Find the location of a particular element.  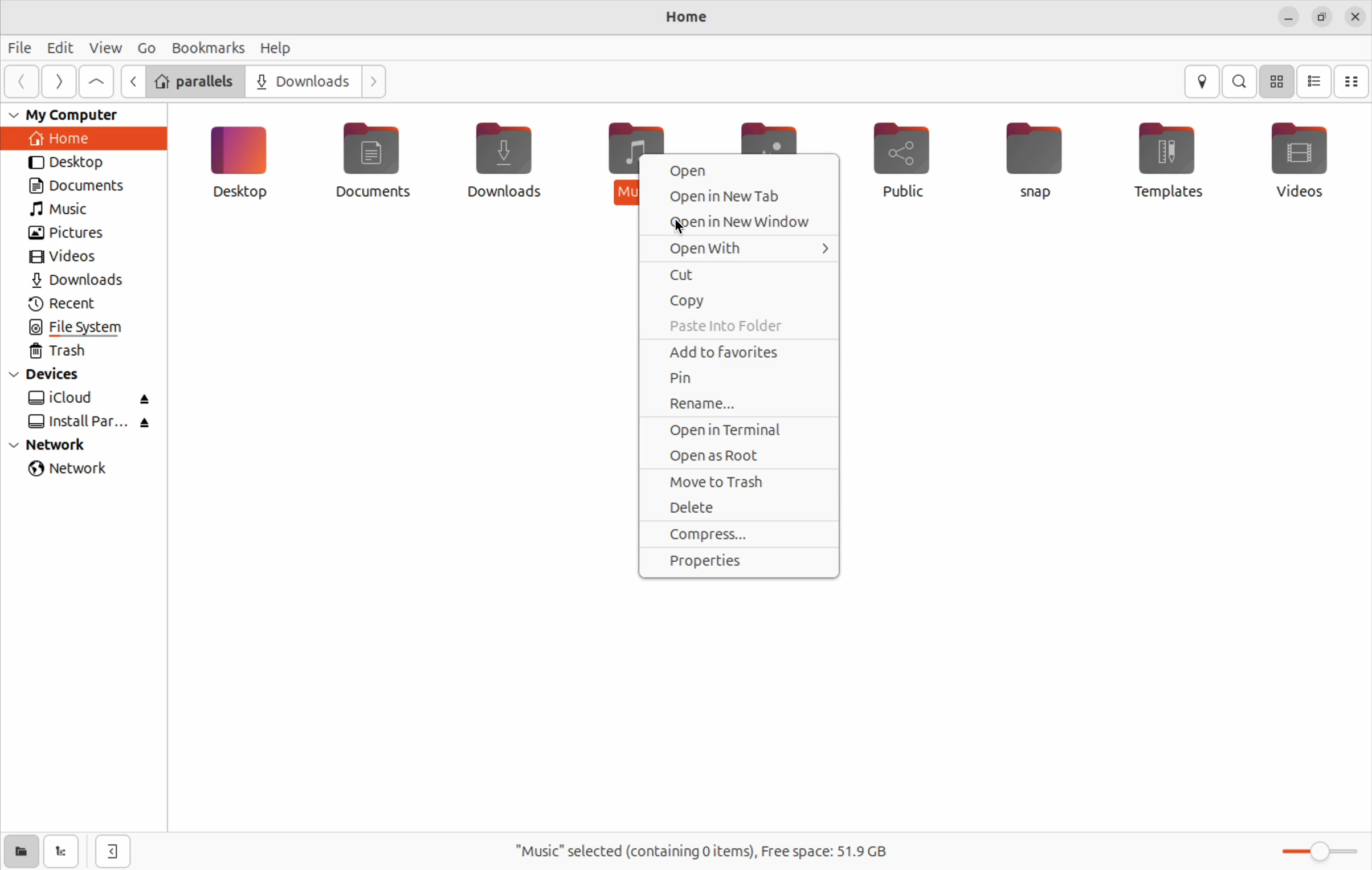

home is located at coordinates (76, 139).